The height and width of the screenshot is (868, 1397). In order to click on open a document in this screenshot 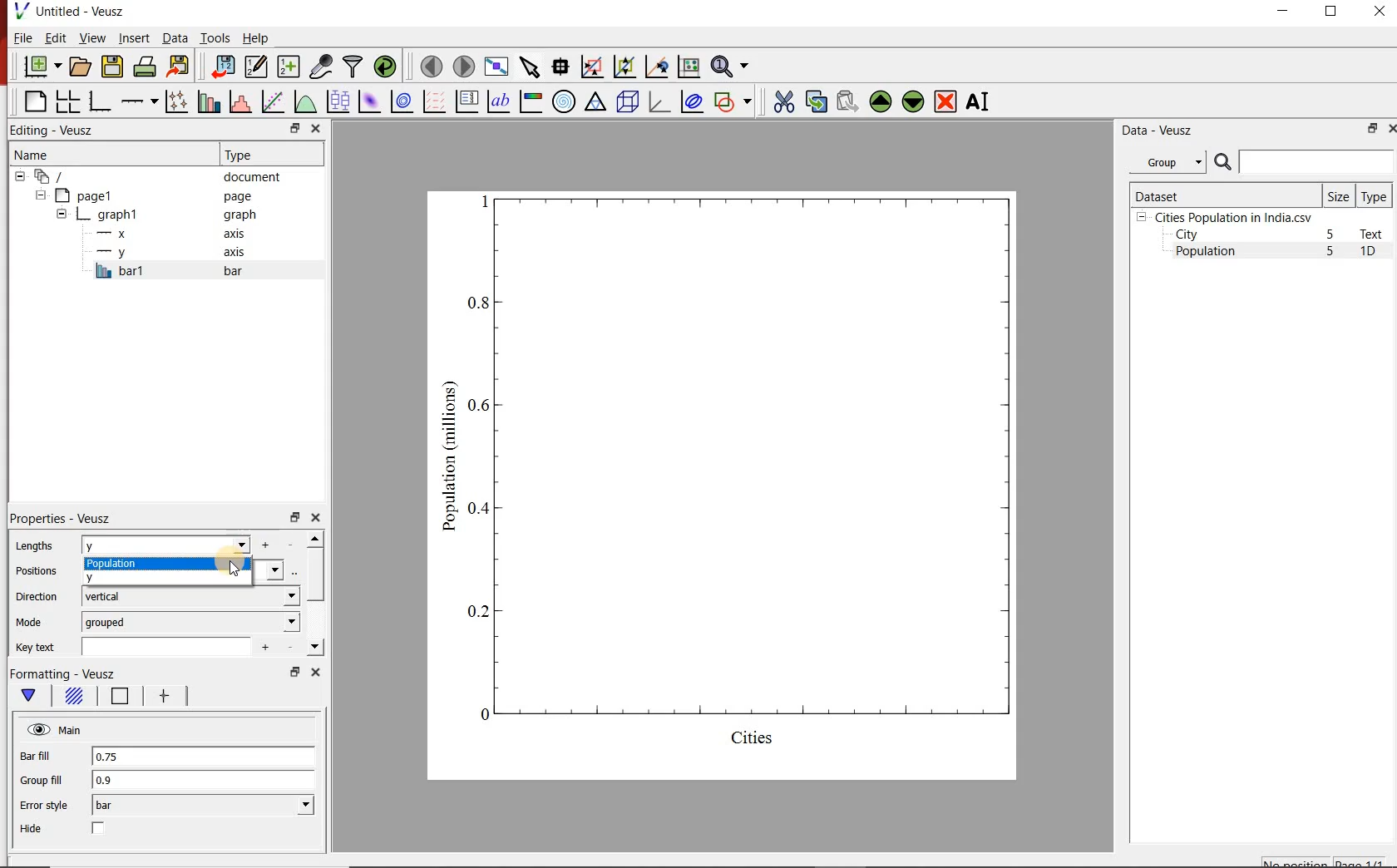, I will do `click(79, 67)`.